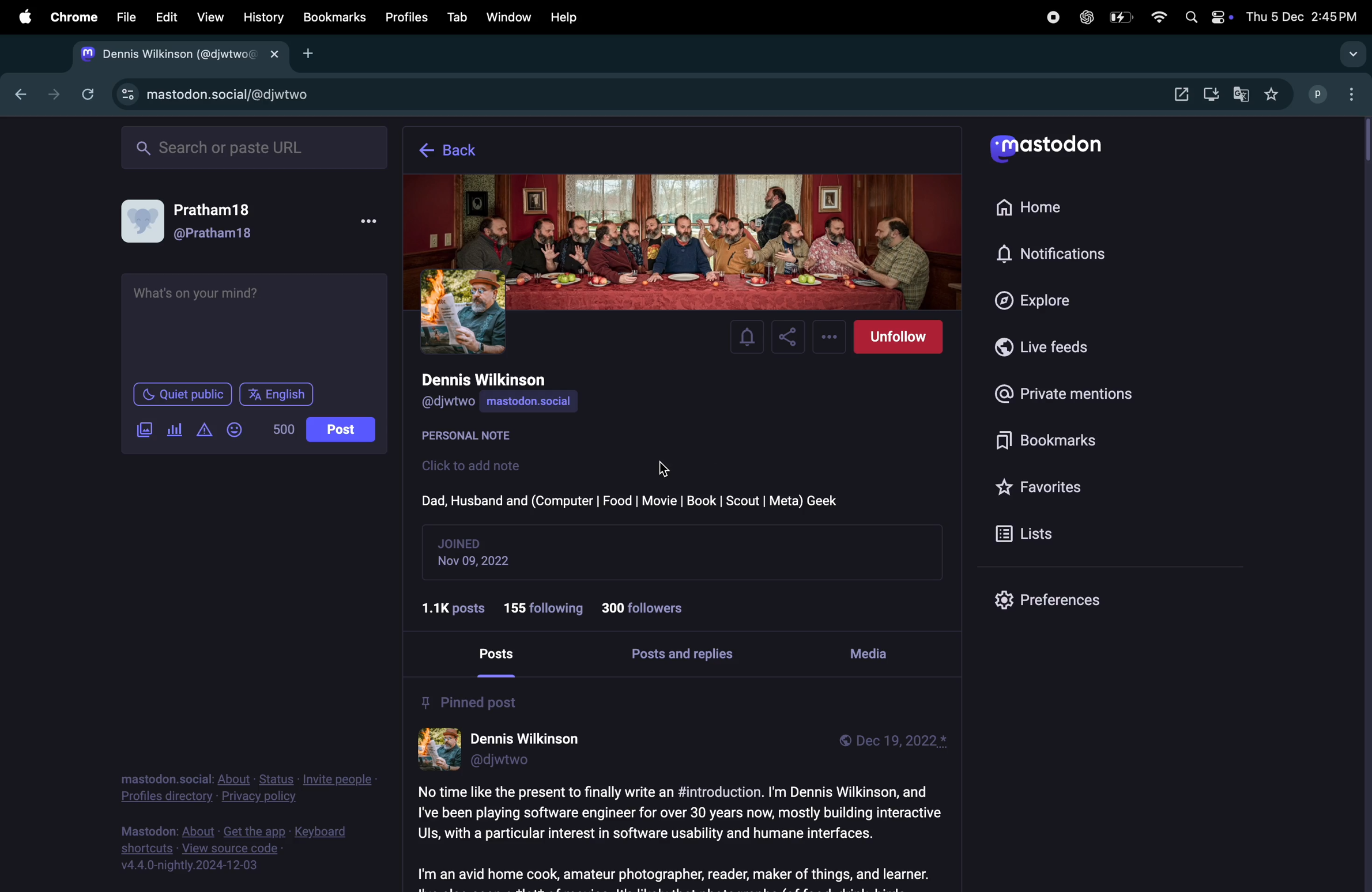  What do you see at coordinates (476, 437) in the screenshot?
I see `personal note` at bounding box center [476, 437].